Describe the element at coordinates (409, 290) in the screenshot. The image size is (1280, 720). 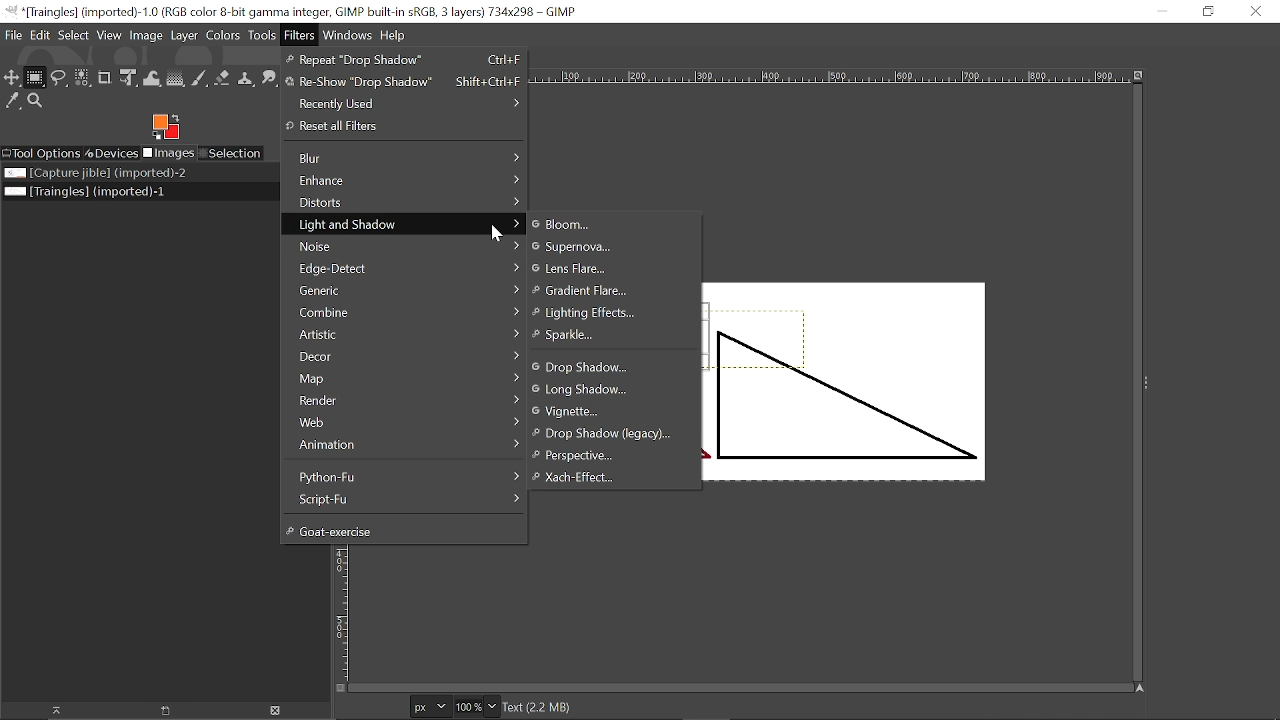
I see `Generic` at that location.